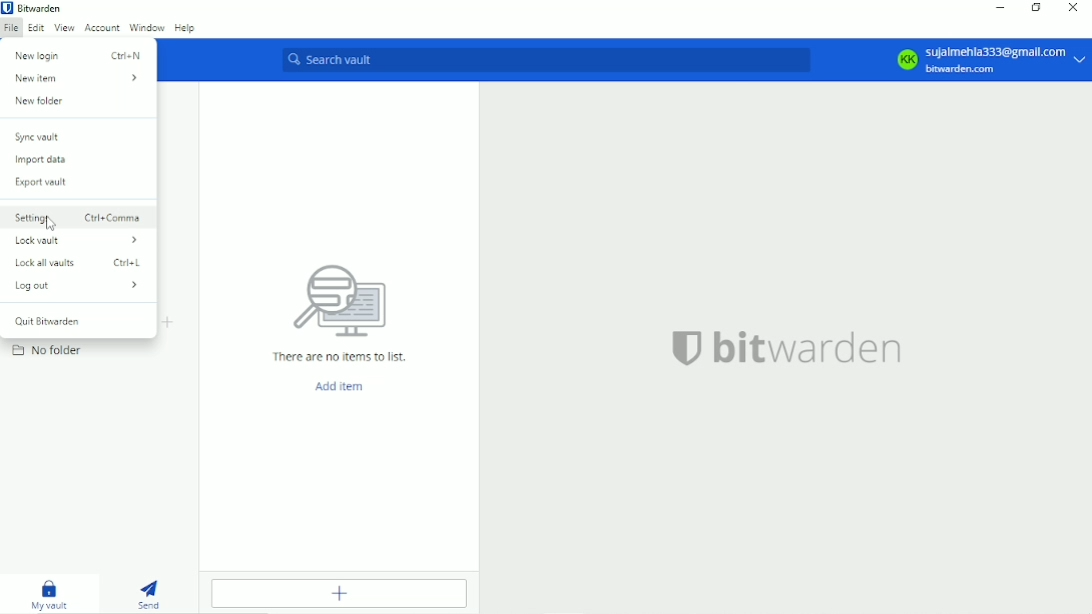 The image size is (1092, 614). I want to click on File, so click(11, 28).